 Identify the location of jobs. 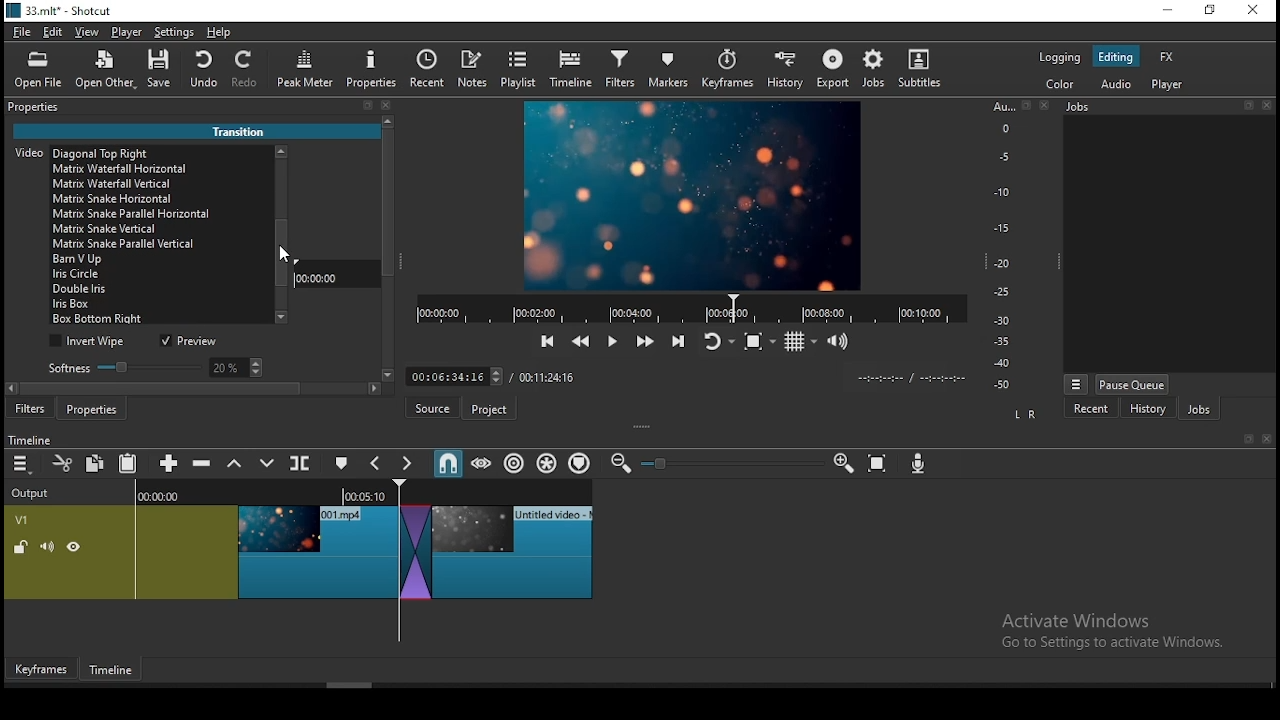
(874, 68).